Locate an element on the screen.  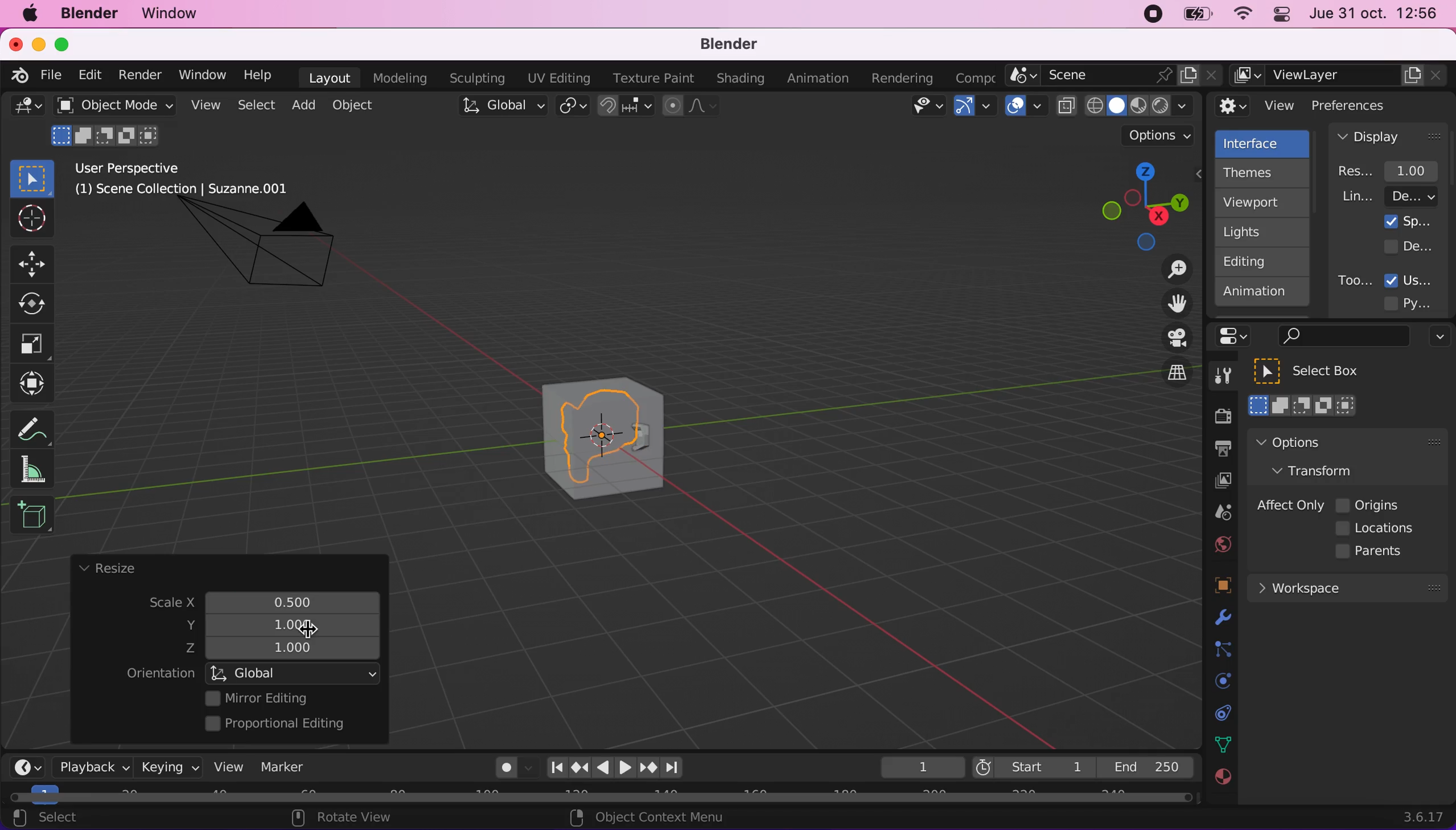
editor type is located at coordinates (23, 758).